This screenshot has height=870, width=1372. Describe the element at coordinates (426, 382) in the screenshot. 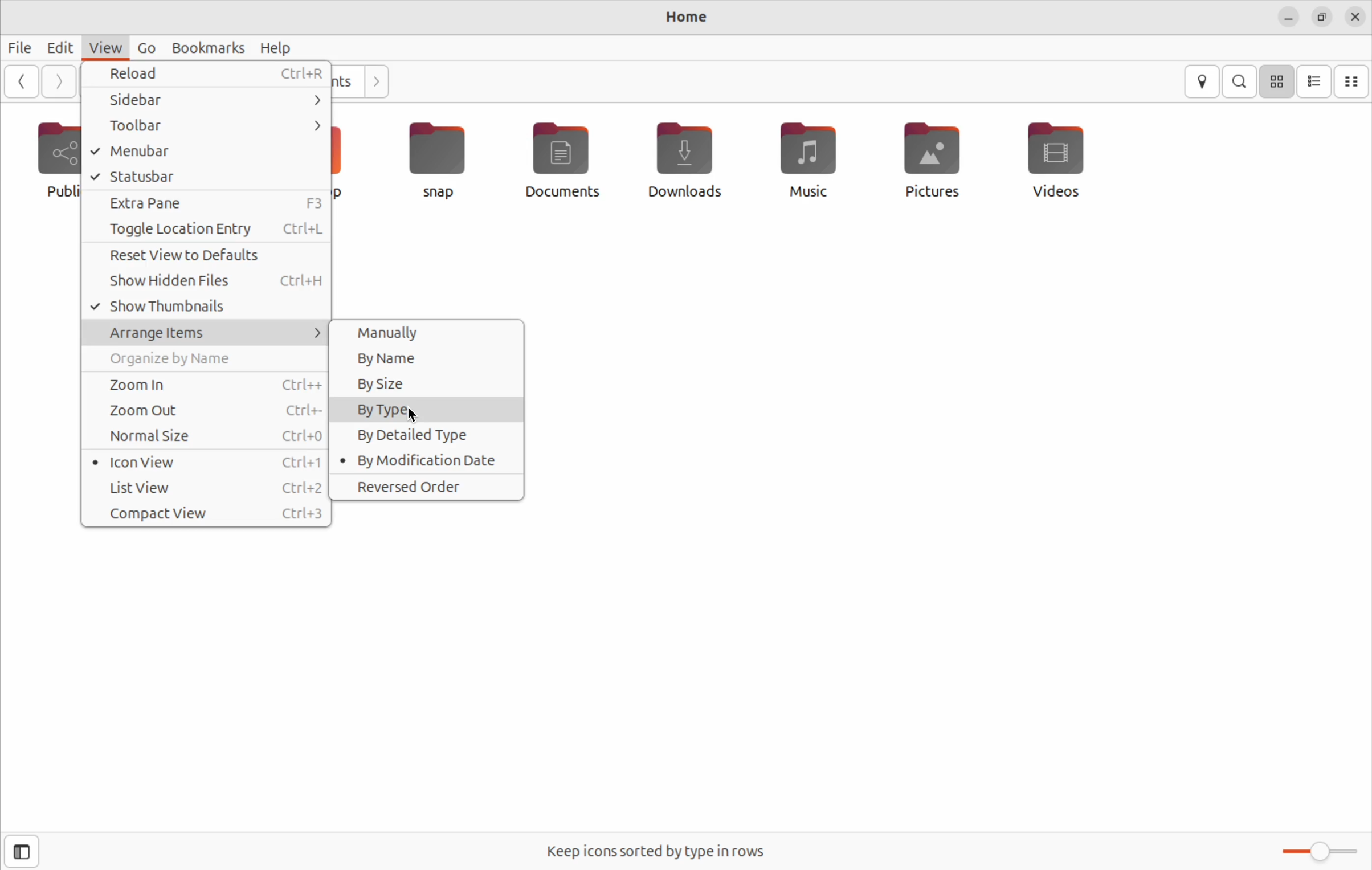

I see `by size` at that location.